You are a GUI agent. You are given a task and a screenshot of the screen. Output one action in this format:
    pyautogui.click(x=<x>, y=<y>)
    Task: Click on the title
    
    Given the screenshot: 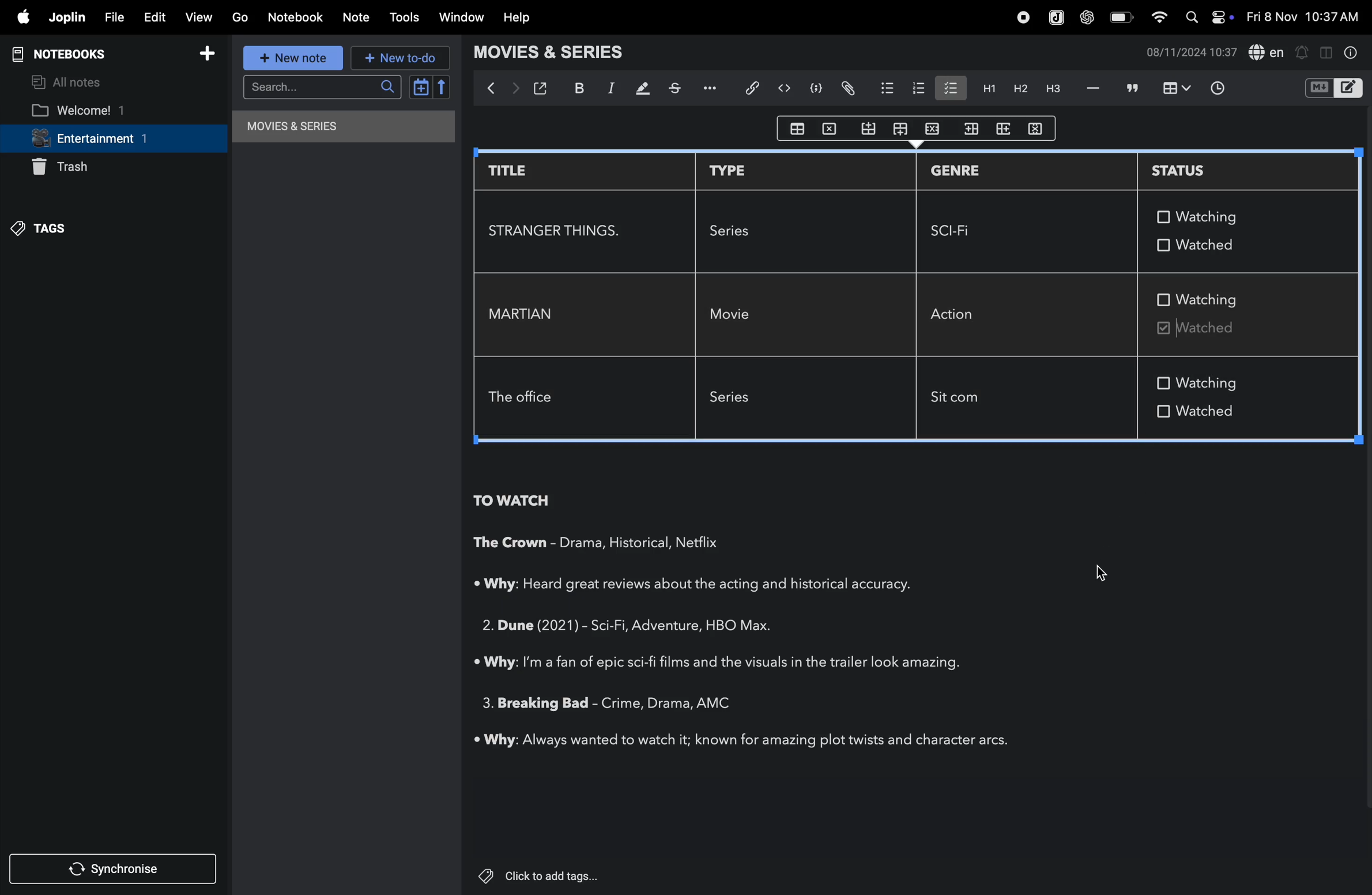 What is the action you would take?
    pyautogui.click(x=533, y=705)
    